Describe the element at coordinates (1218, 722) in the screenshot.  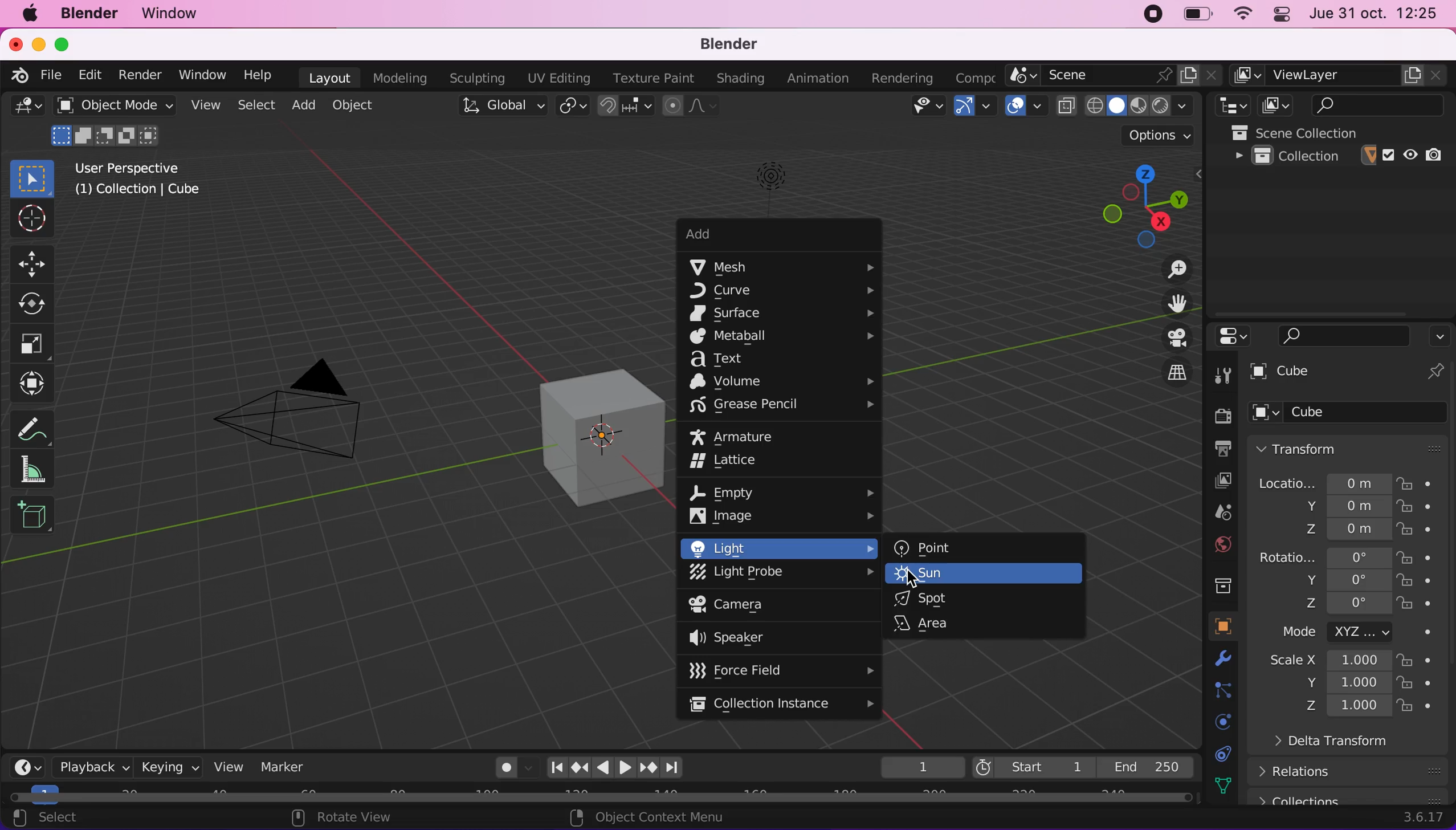
I see `physics` at that location.